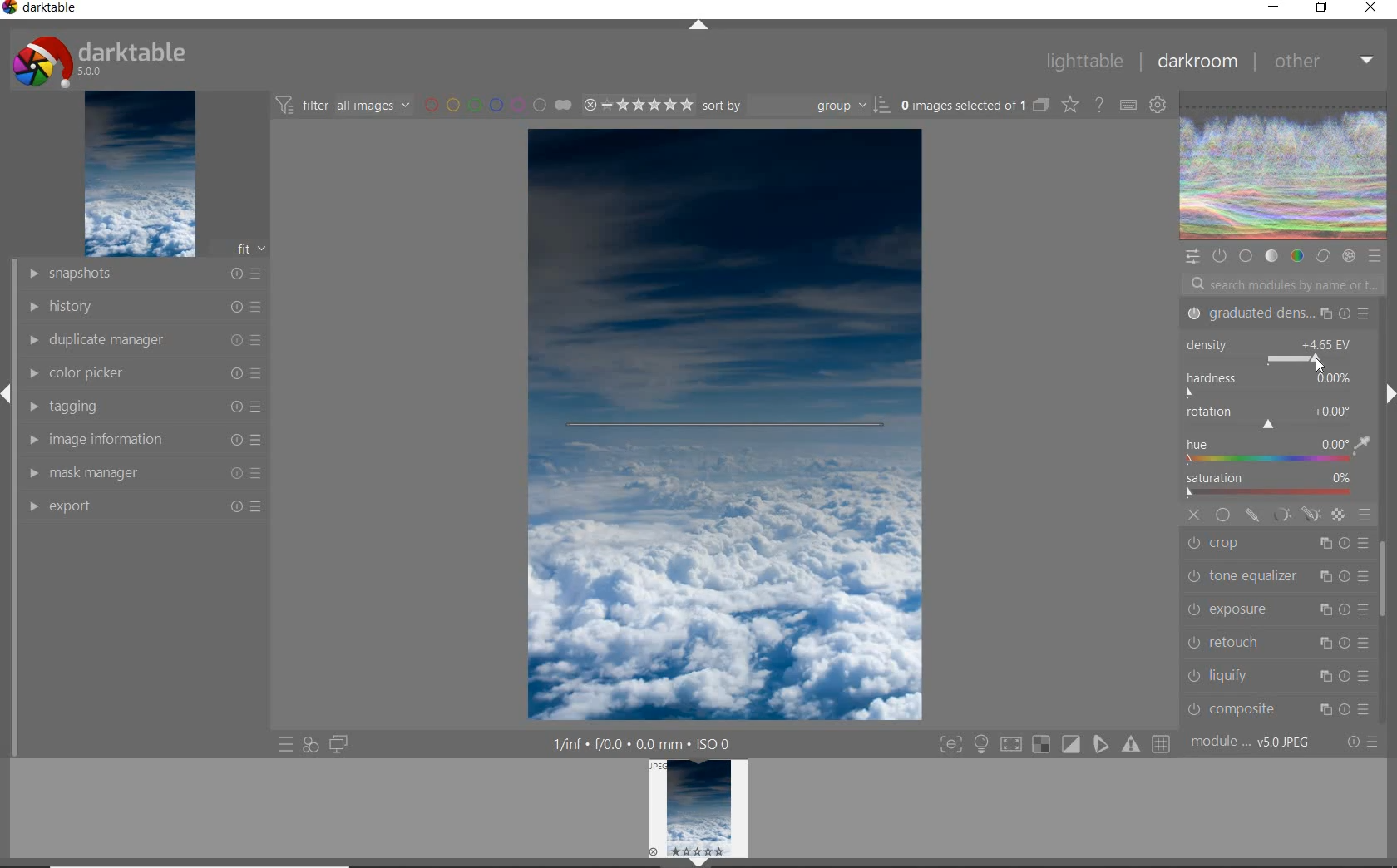 This screenshot has width=1397, height=868. What do you see at coordinates (1222, 515) in the screenshot?
I see `UNIFORMLY` at bounding box center [1222, 515].